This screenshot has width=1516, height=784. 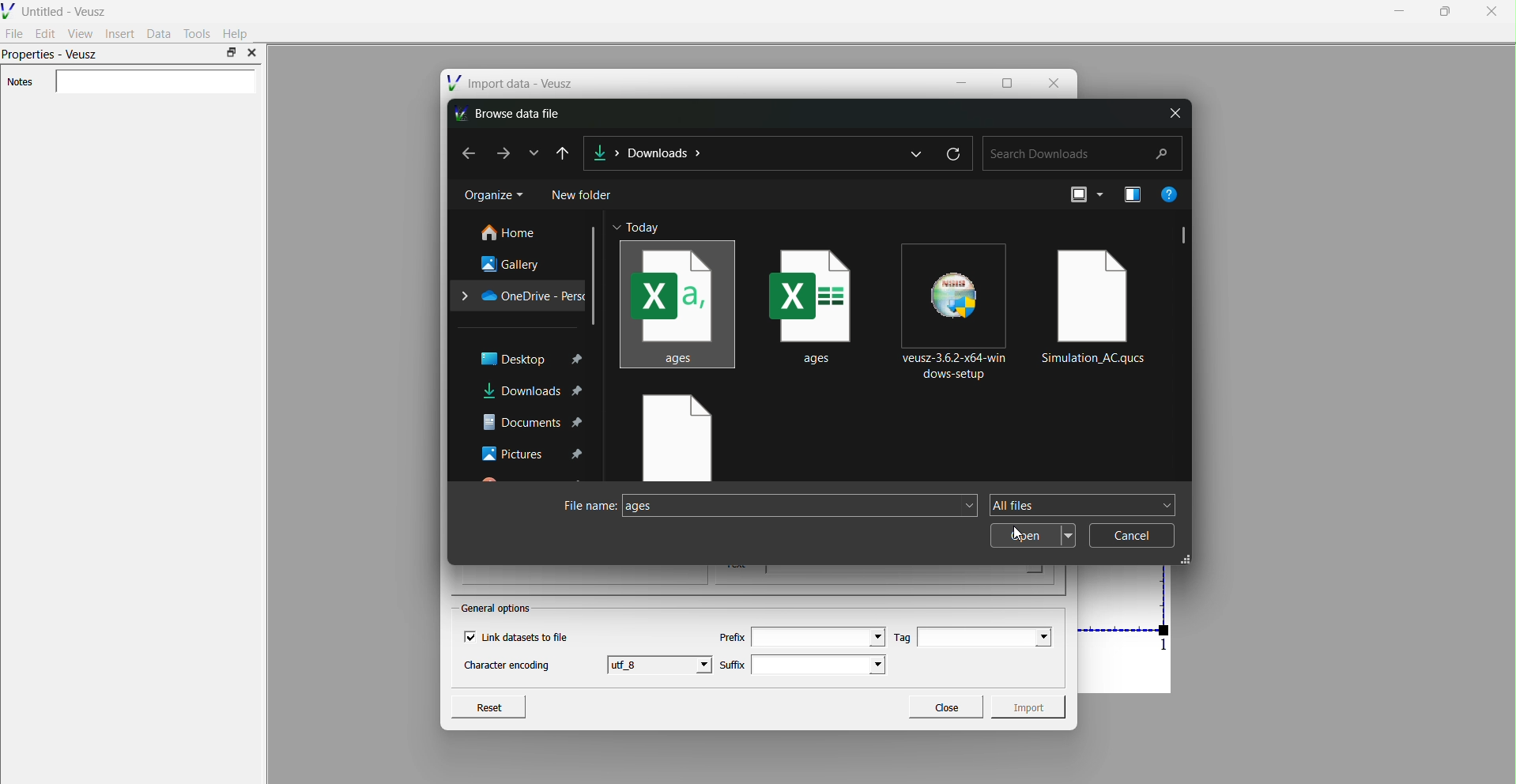 I want to click on Help, so click(x=236, y=34).